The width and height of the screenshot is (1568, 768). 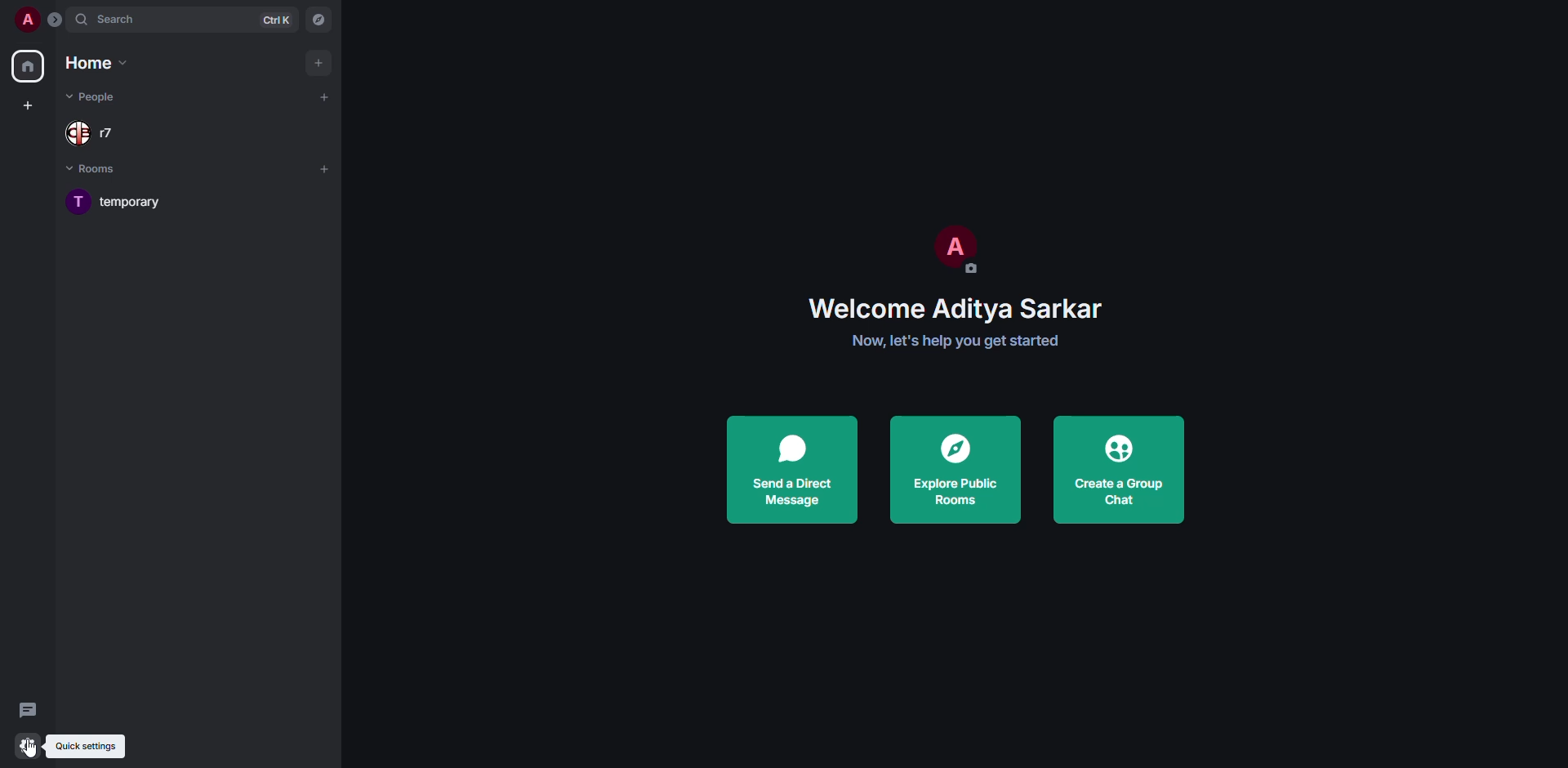 I want to click on add, so click(x=322, y=96).